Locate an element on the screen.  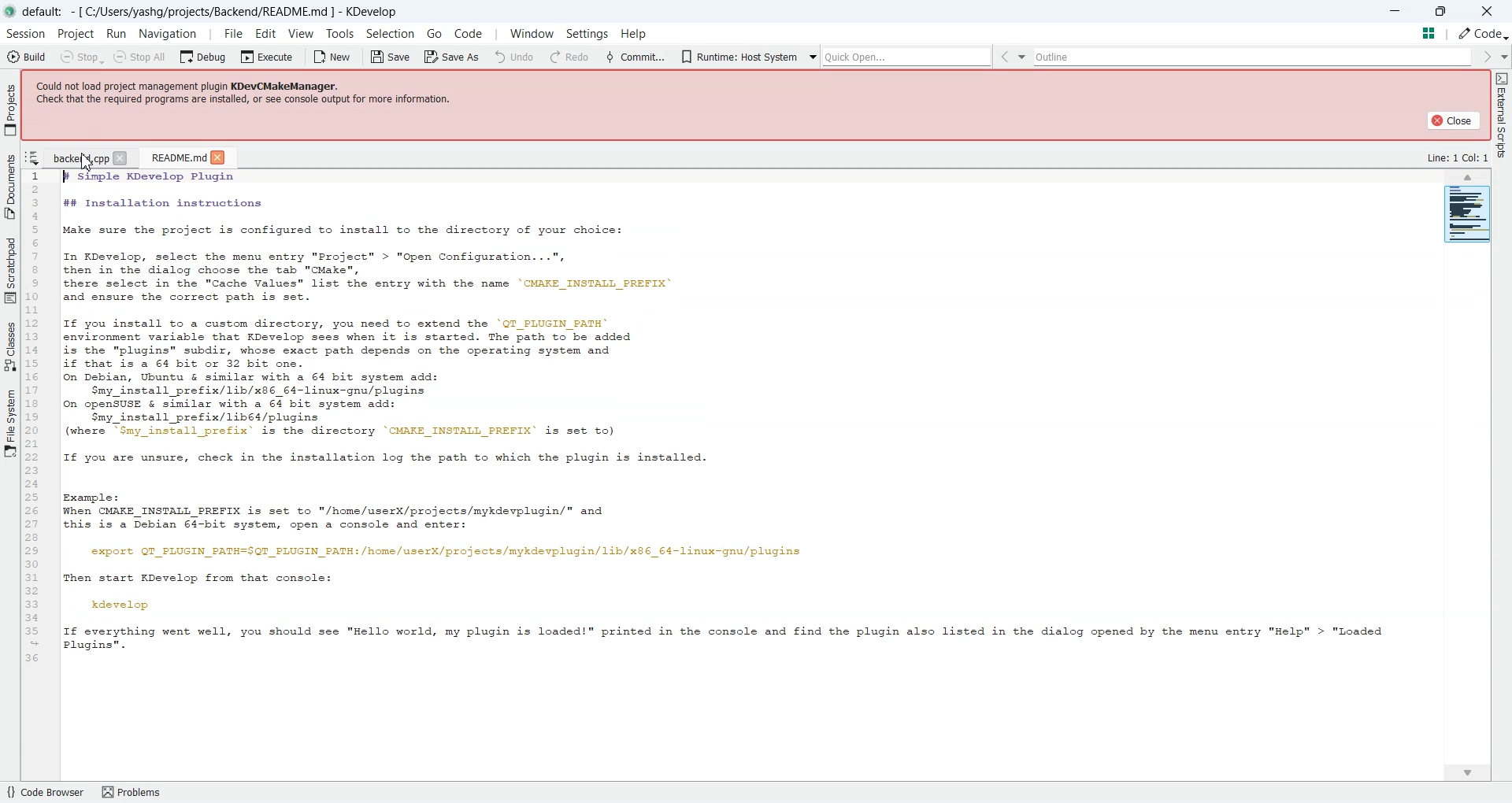
Execute is located at coordinates (269, 56).